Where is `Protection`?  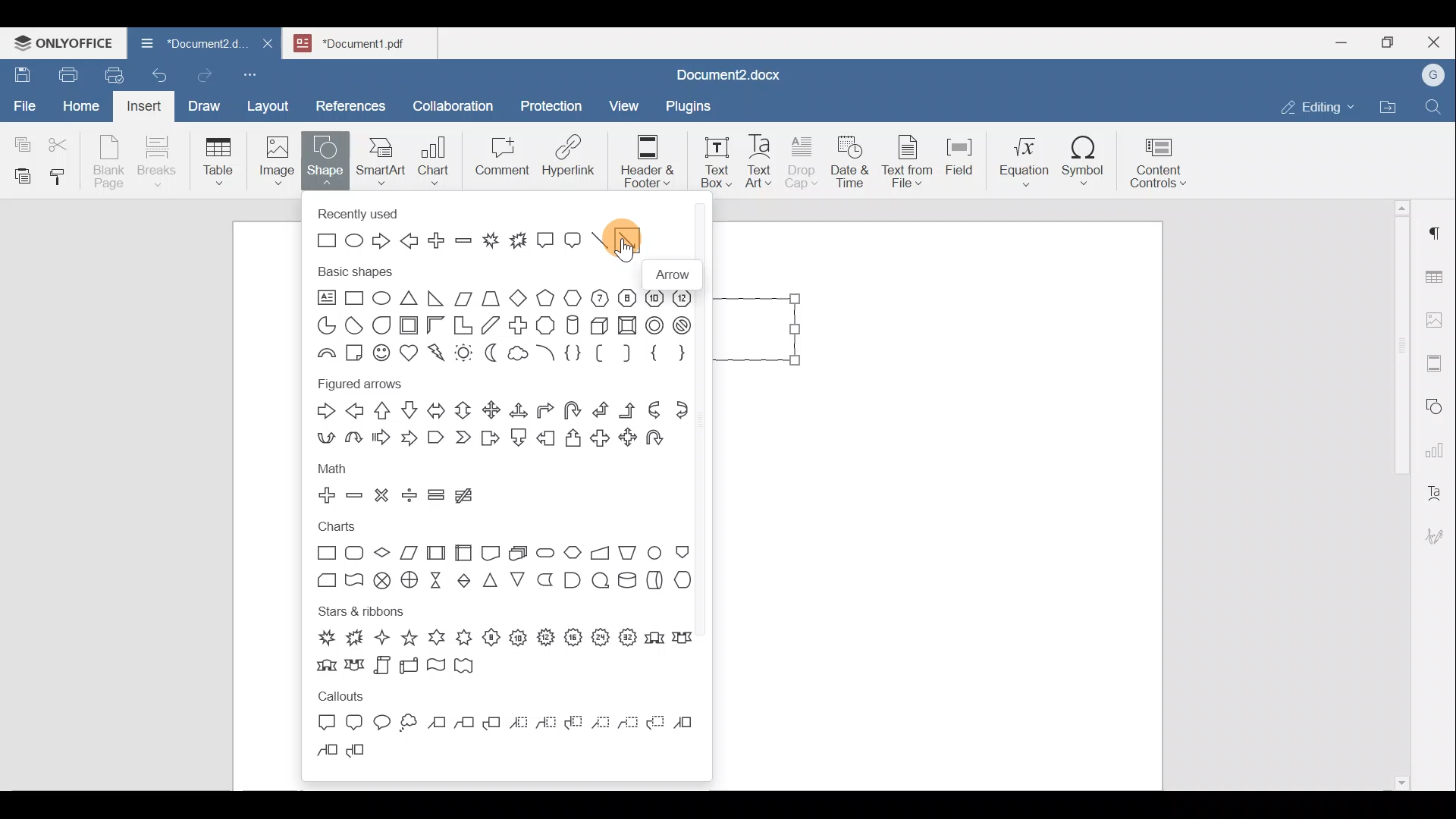 Protection is located at coordinates (556, 104).